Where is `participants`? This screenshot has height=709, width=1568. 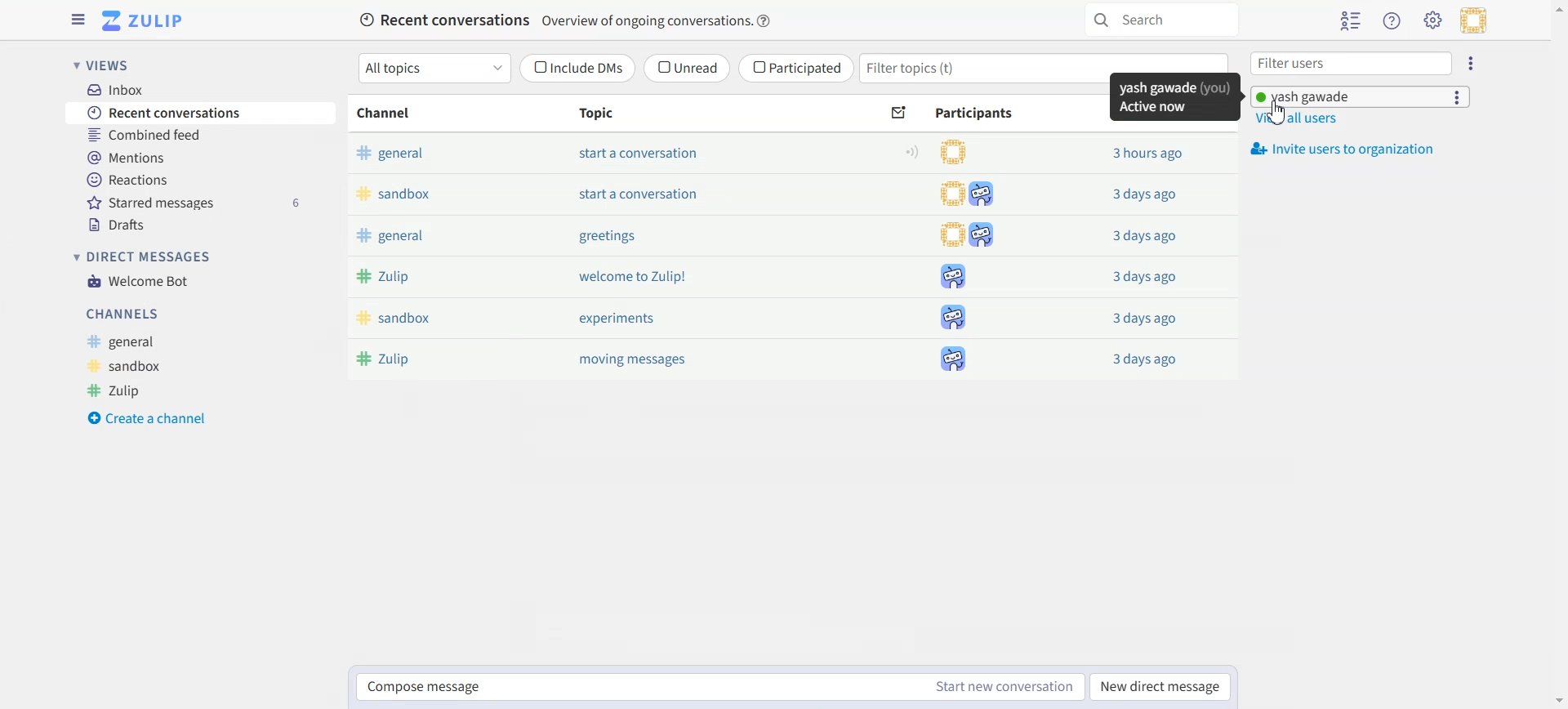 participants is located at coordinates (964, 234).